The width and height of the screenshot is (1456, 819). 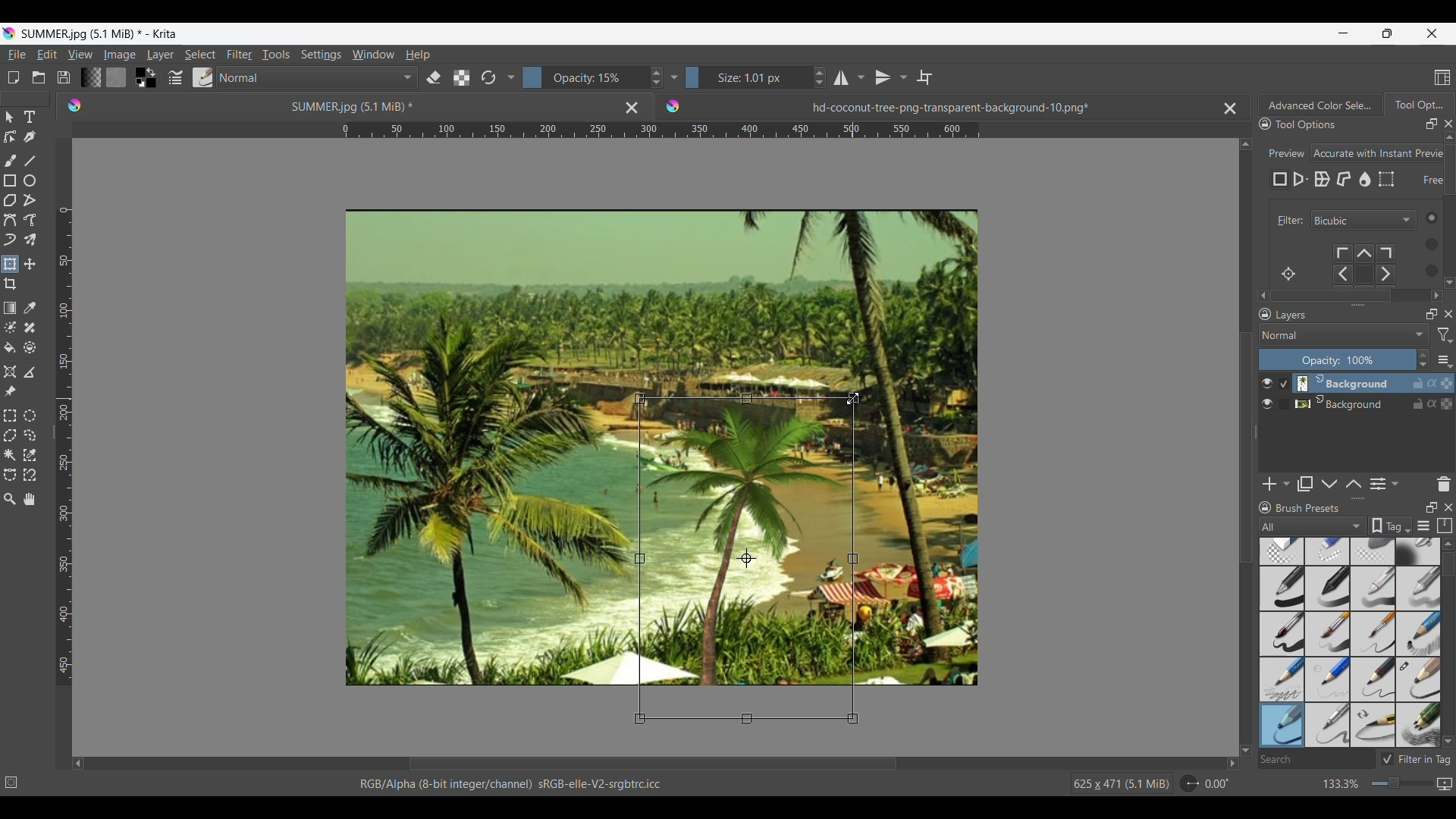 What do you see at coordinates (1446, 525) in the screenshot?
I see `Storage resources` at bounding box center [1446, 525].